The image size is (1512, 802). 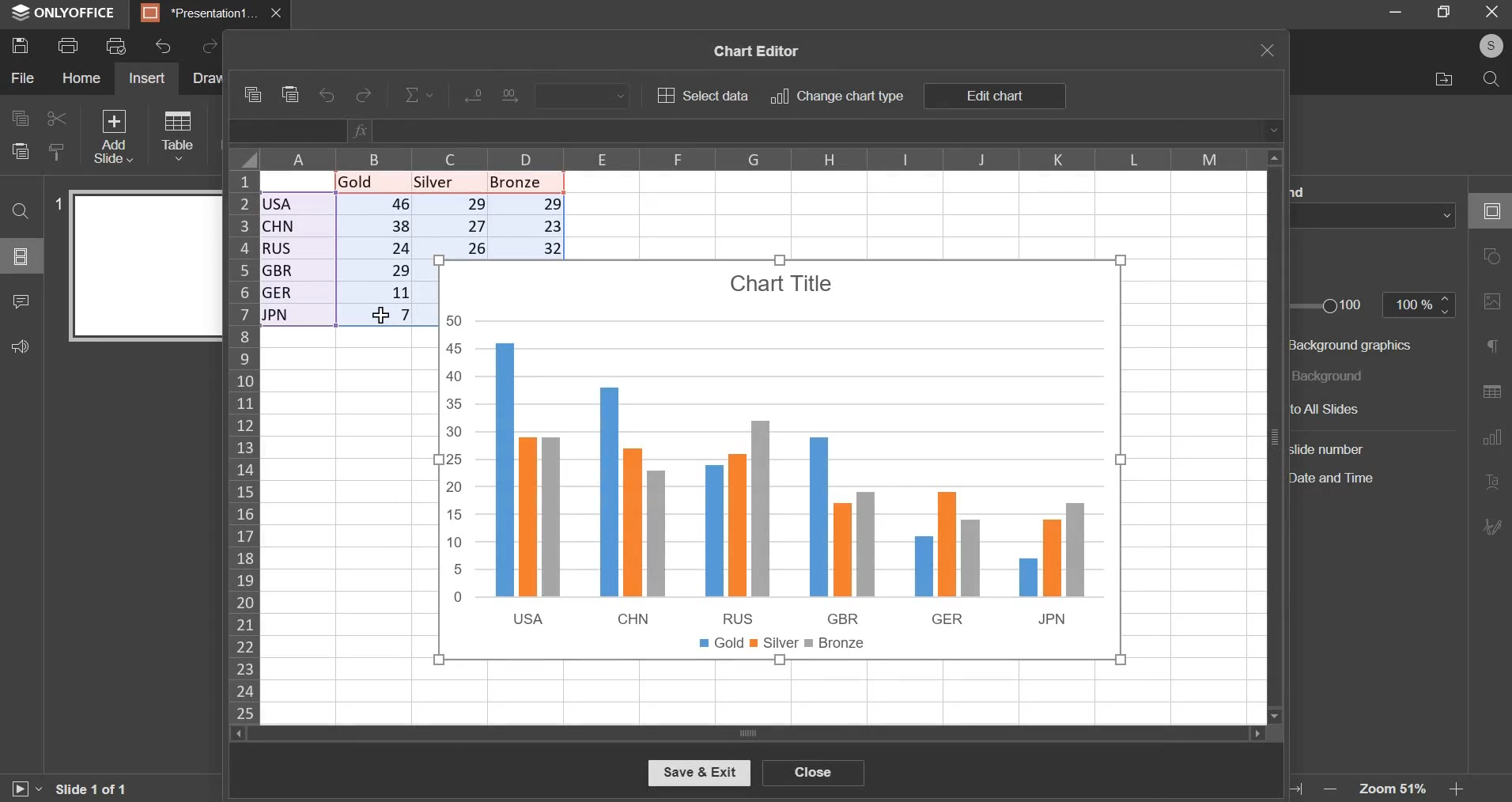 I want to click on undo, so click(x=328, y=96).